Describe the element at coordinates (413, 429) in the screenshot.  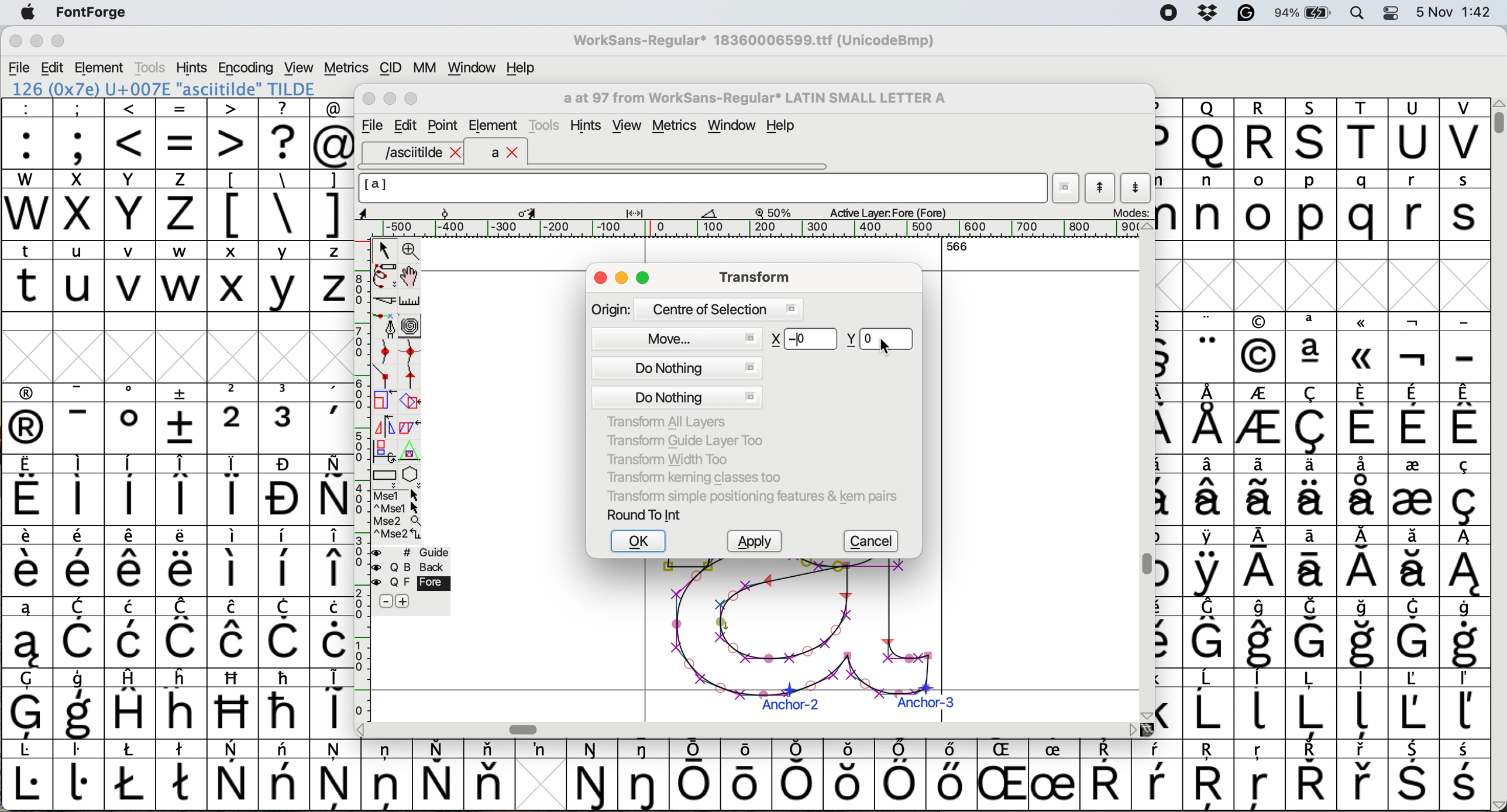
I see `skew selection` at that location.